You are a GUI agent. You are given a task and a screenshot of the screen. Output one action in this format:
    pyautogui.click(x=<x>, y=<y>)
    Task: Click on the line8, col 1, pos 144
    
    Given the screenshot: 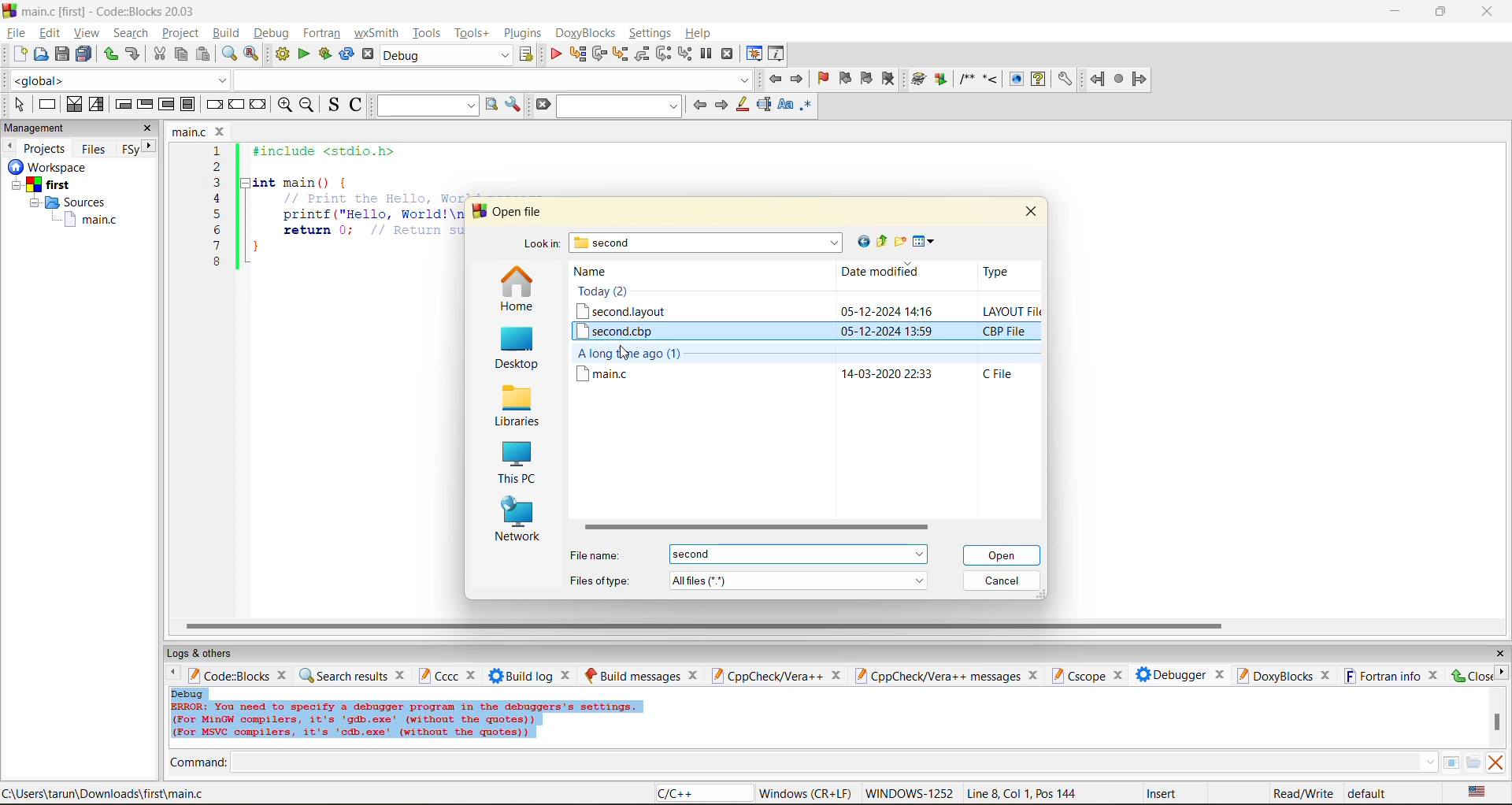 What is the action you would take?
    pyautogui.click(x=1025, y=793)
    